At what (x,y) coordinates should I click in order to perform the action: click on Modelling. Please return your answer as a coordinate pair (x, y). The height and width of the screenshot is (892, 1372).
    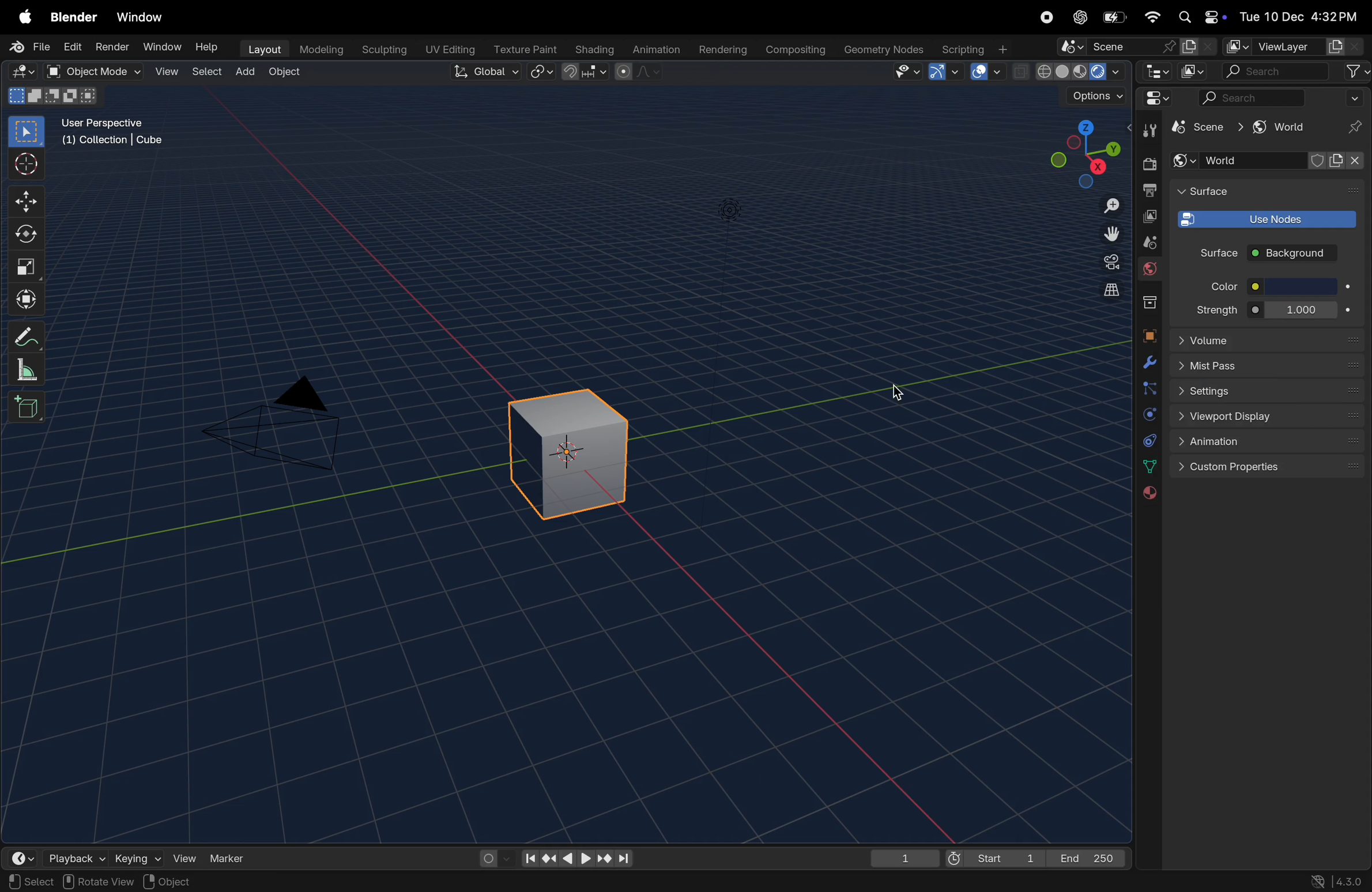
    Looking at the image, I should click on (316, 50).